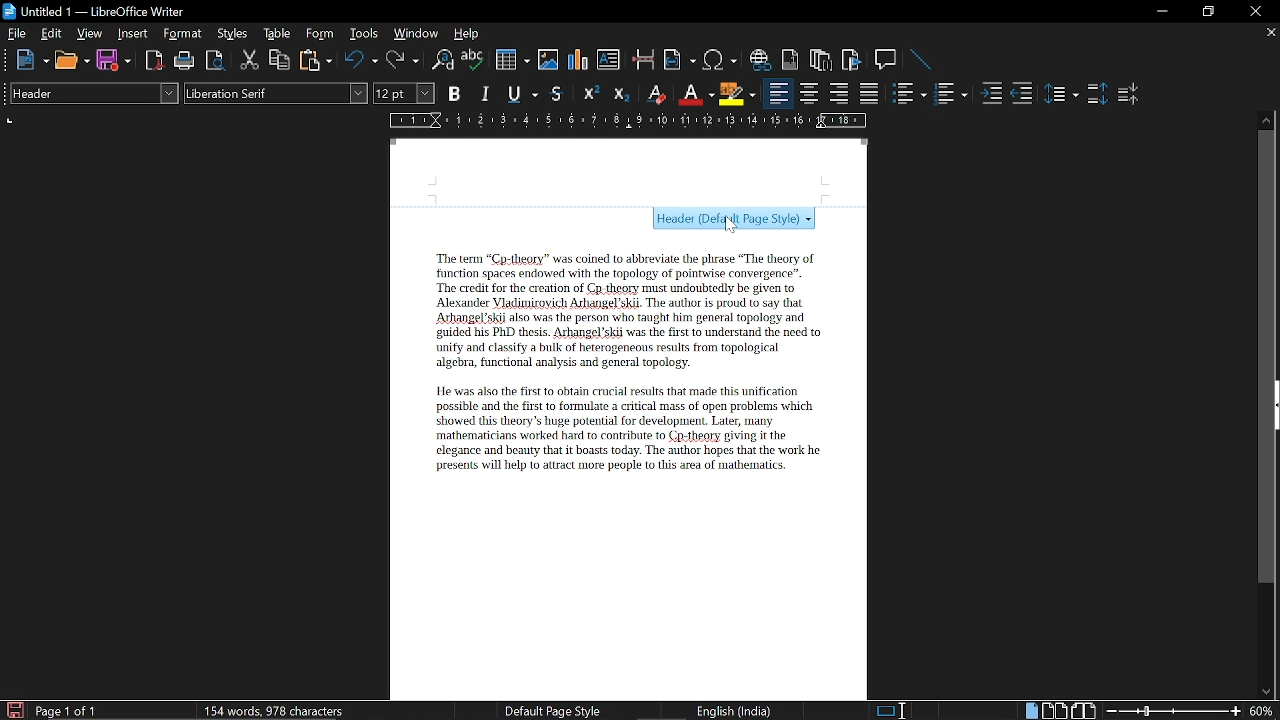 The height and width of the screenshot is (720, 1280). I want to click on WIndow, so click(417, 33).